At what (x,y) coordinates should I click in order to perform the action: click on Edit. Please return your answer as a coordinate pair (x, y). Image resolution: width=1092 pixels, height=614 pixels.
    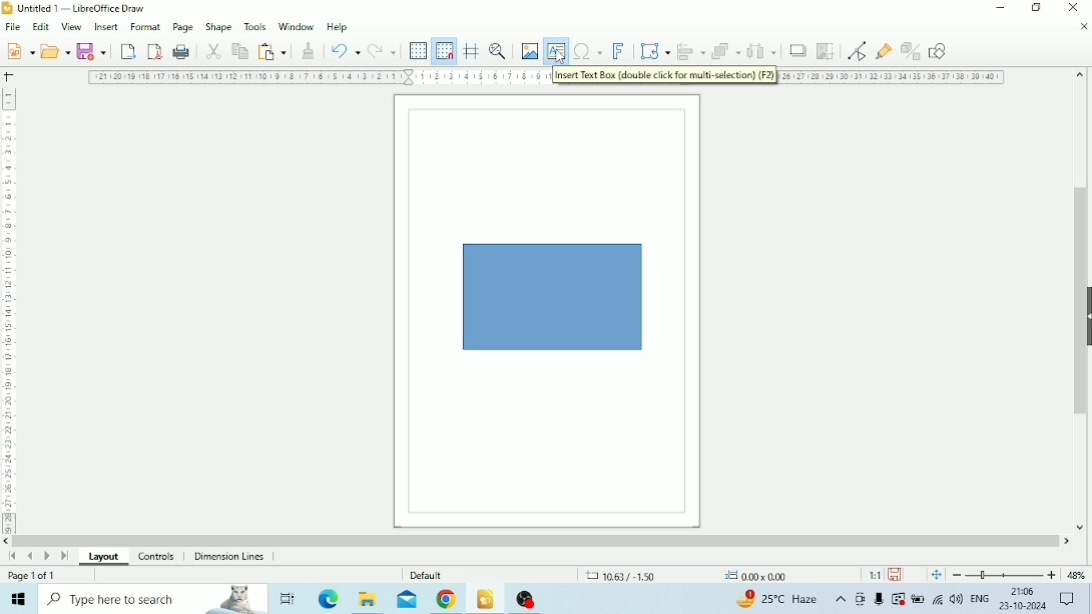
    Looking at the image, I should click on (40, 27).